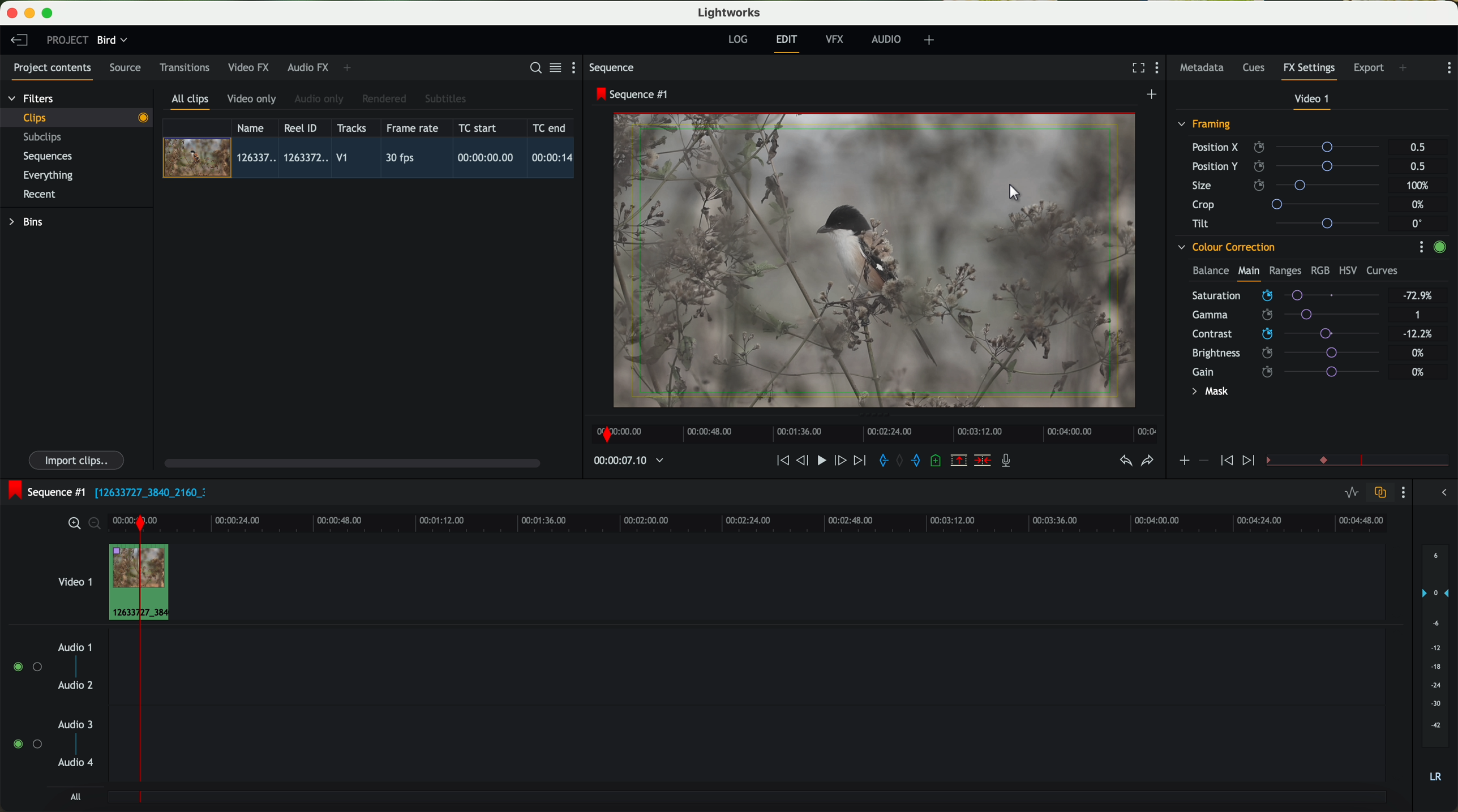 This screenshot has width=1458, height=812. I want to click on maximize program, so click(49, 14).